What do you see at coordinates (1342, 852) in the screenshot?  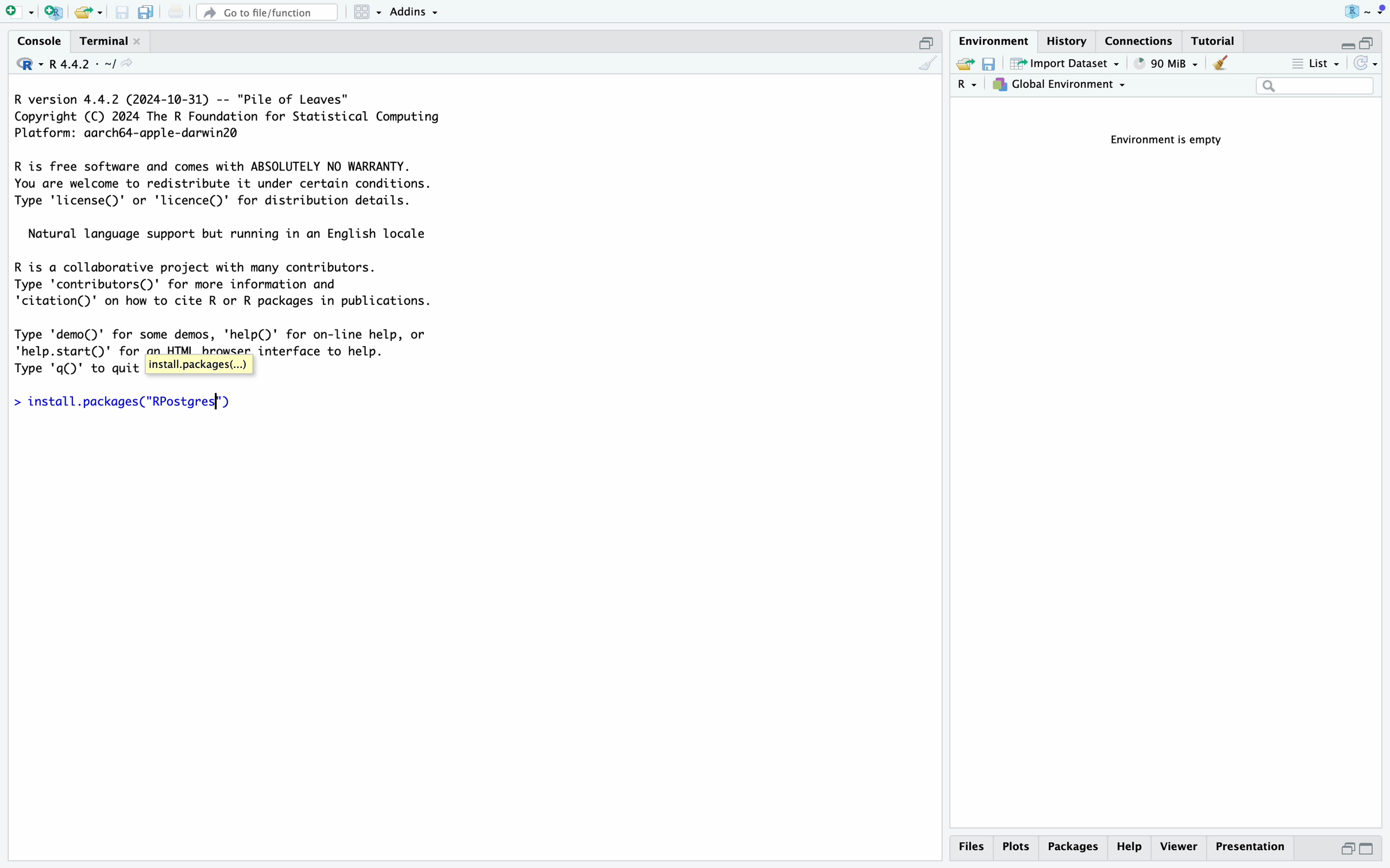 I see `minimize` at bounding box center [1342, 852].